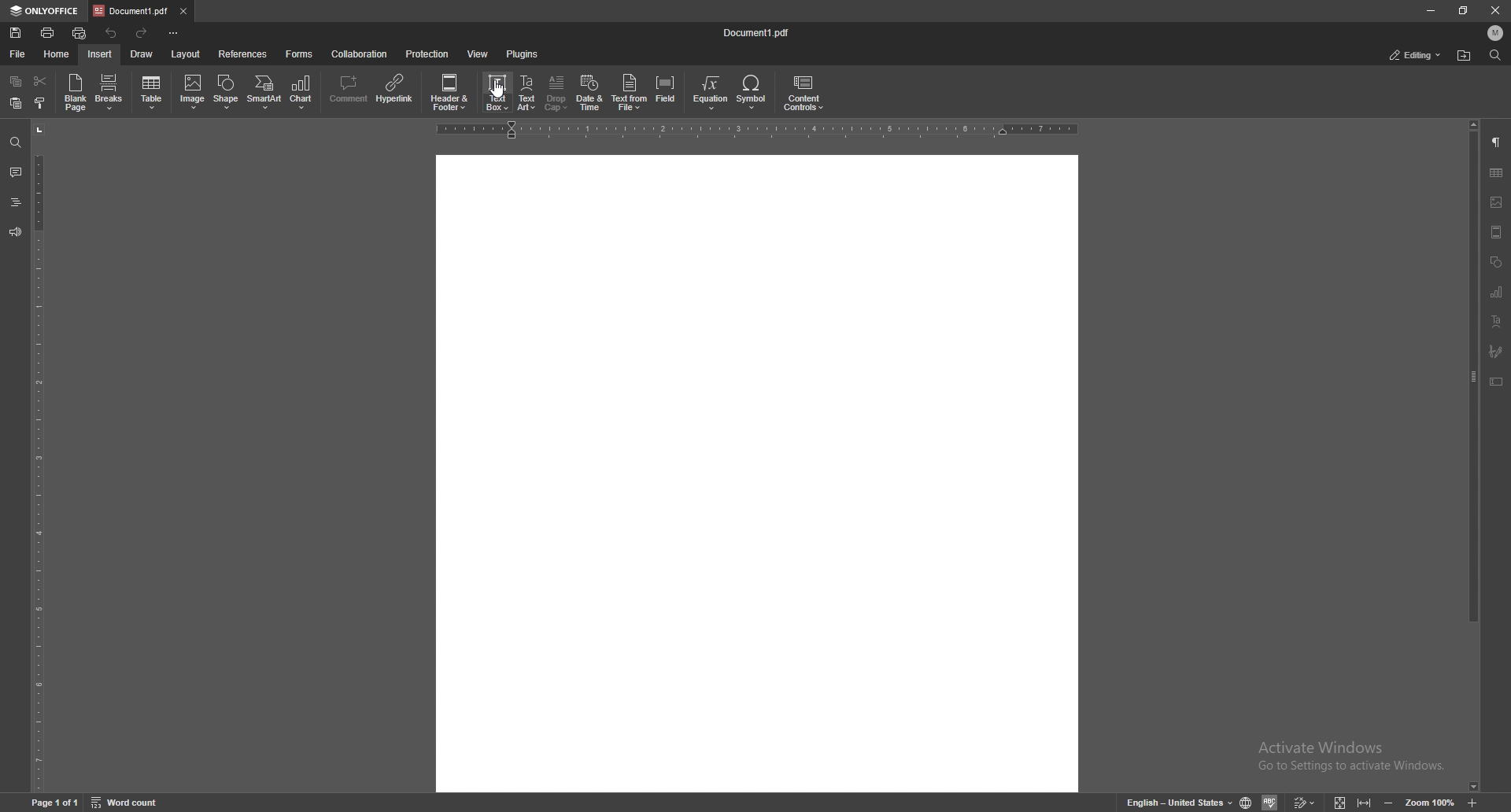 The height and width of the screenshot is (812, 1511). What do you see at coordinates (127, 803) in the screenshot?
I see `word count` at bounding box center [127, 803].